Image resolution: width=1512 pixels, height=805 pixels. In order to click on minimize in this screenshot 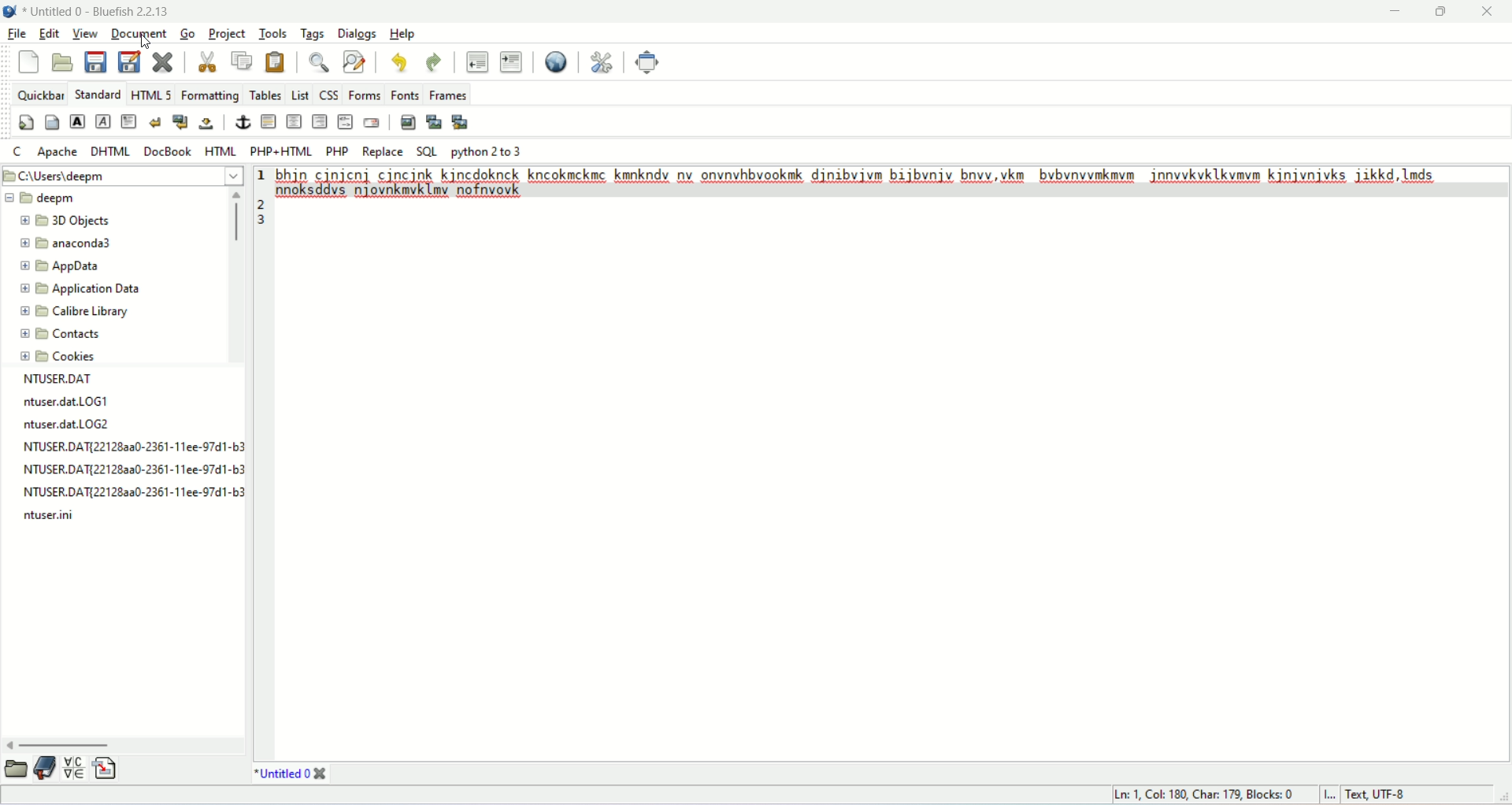, I will do `click(1388, 13)`.